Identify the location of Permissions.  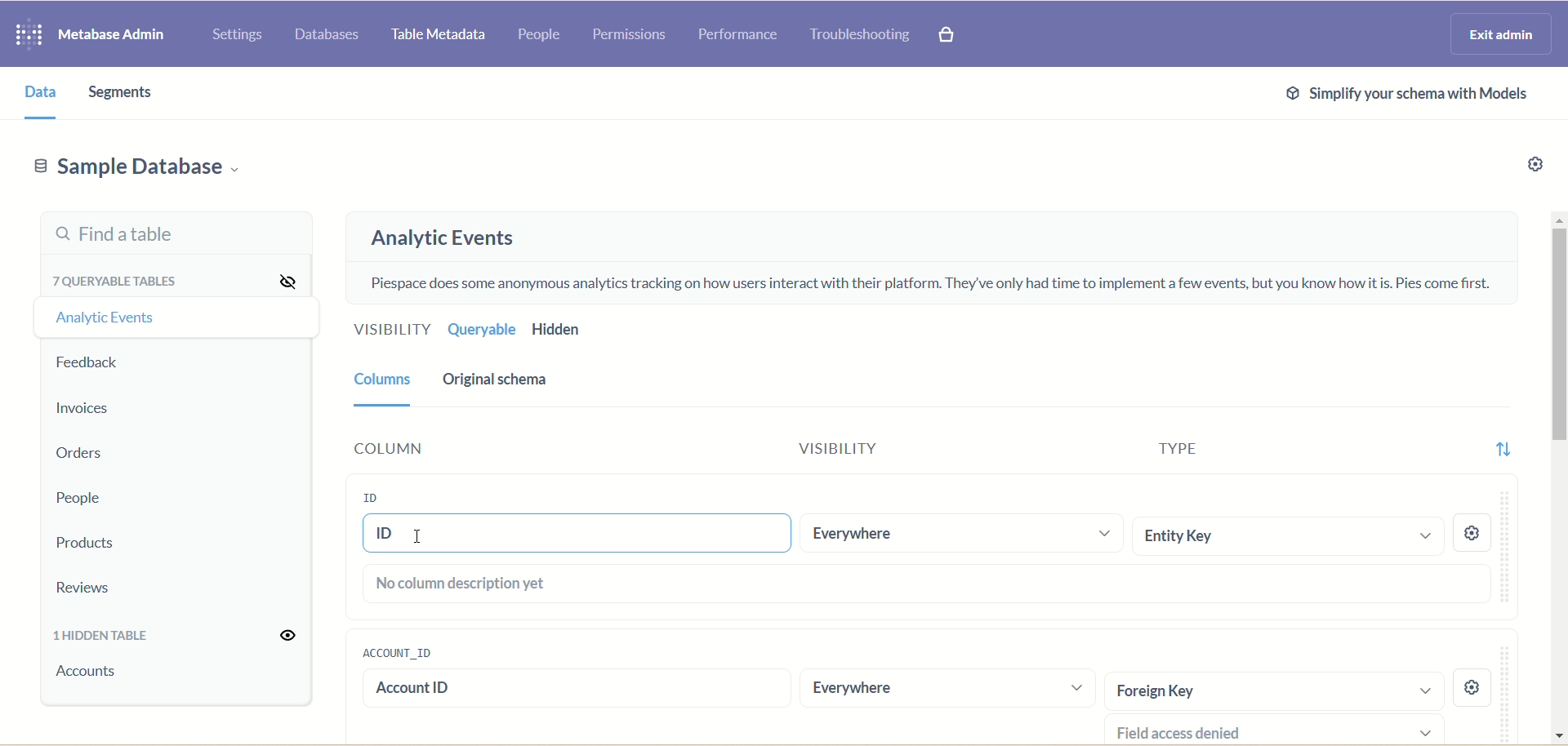
(635, 37).